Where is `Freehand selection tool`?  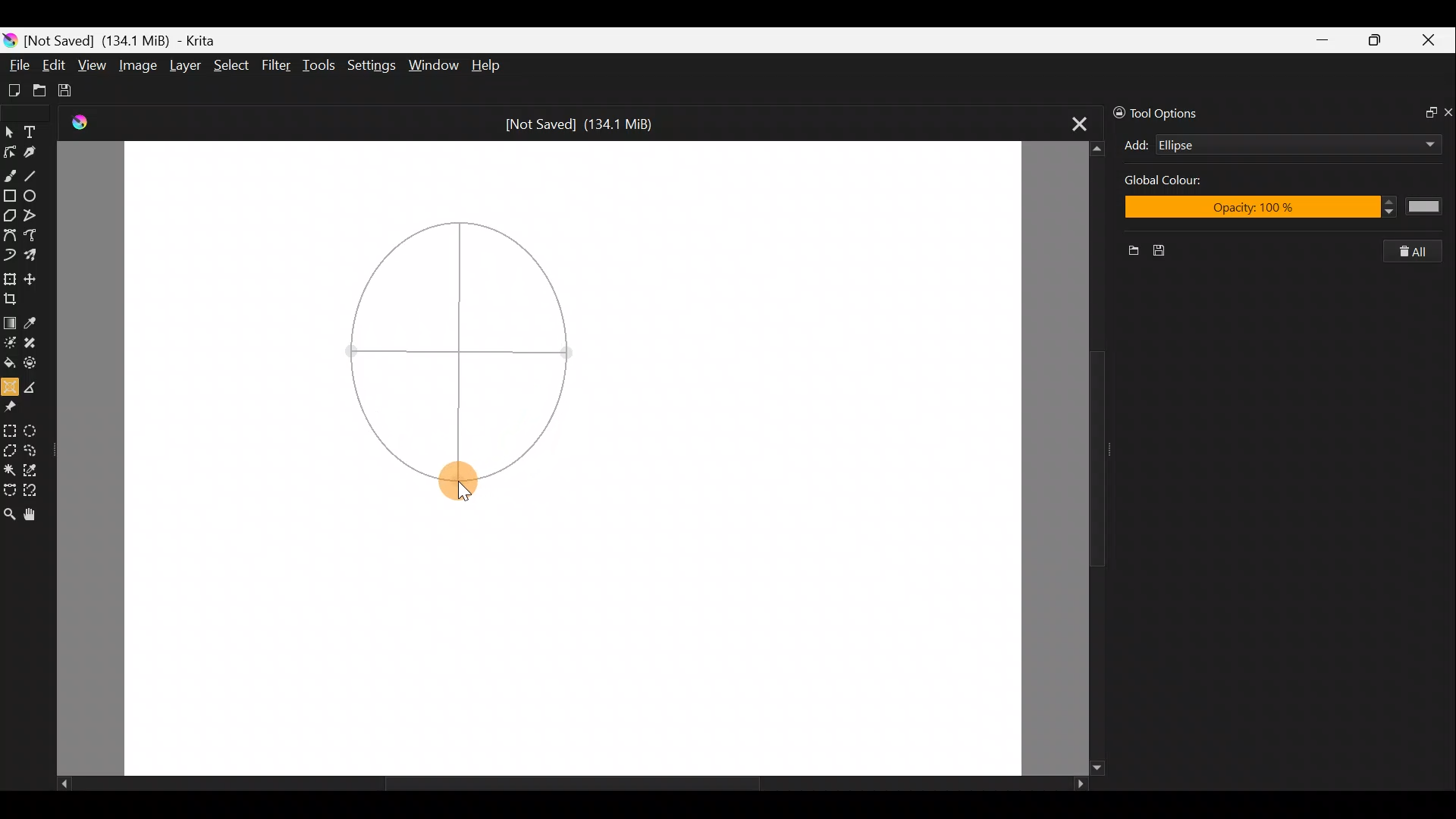
Freehand selection tool is located at coordinates (36, 449).